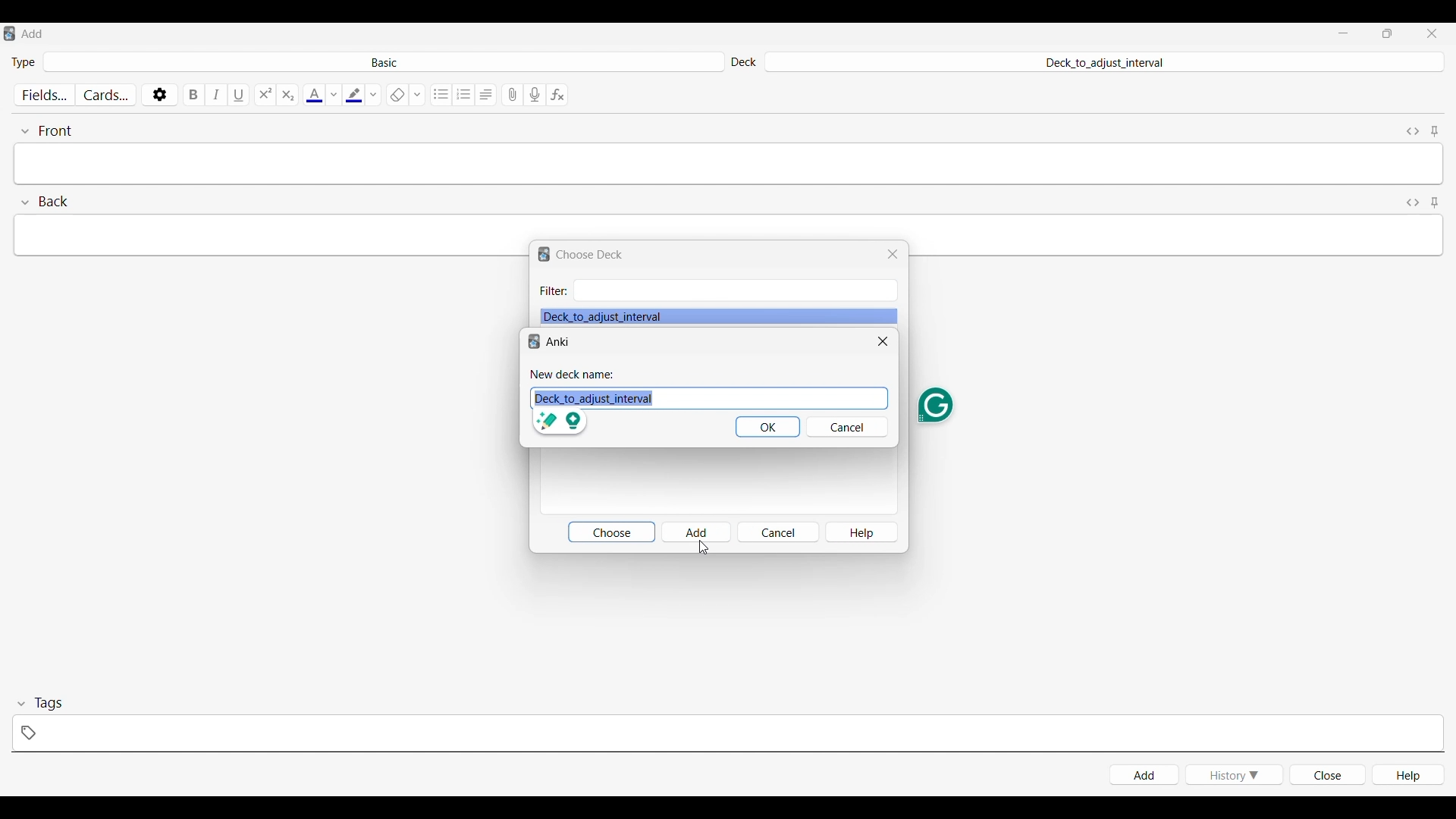 This screenshot has width=1456, height=819. What do you see at coordinates (778, 532) in the screenshot?
I see `Cancel` at bounding box center [778, 532].